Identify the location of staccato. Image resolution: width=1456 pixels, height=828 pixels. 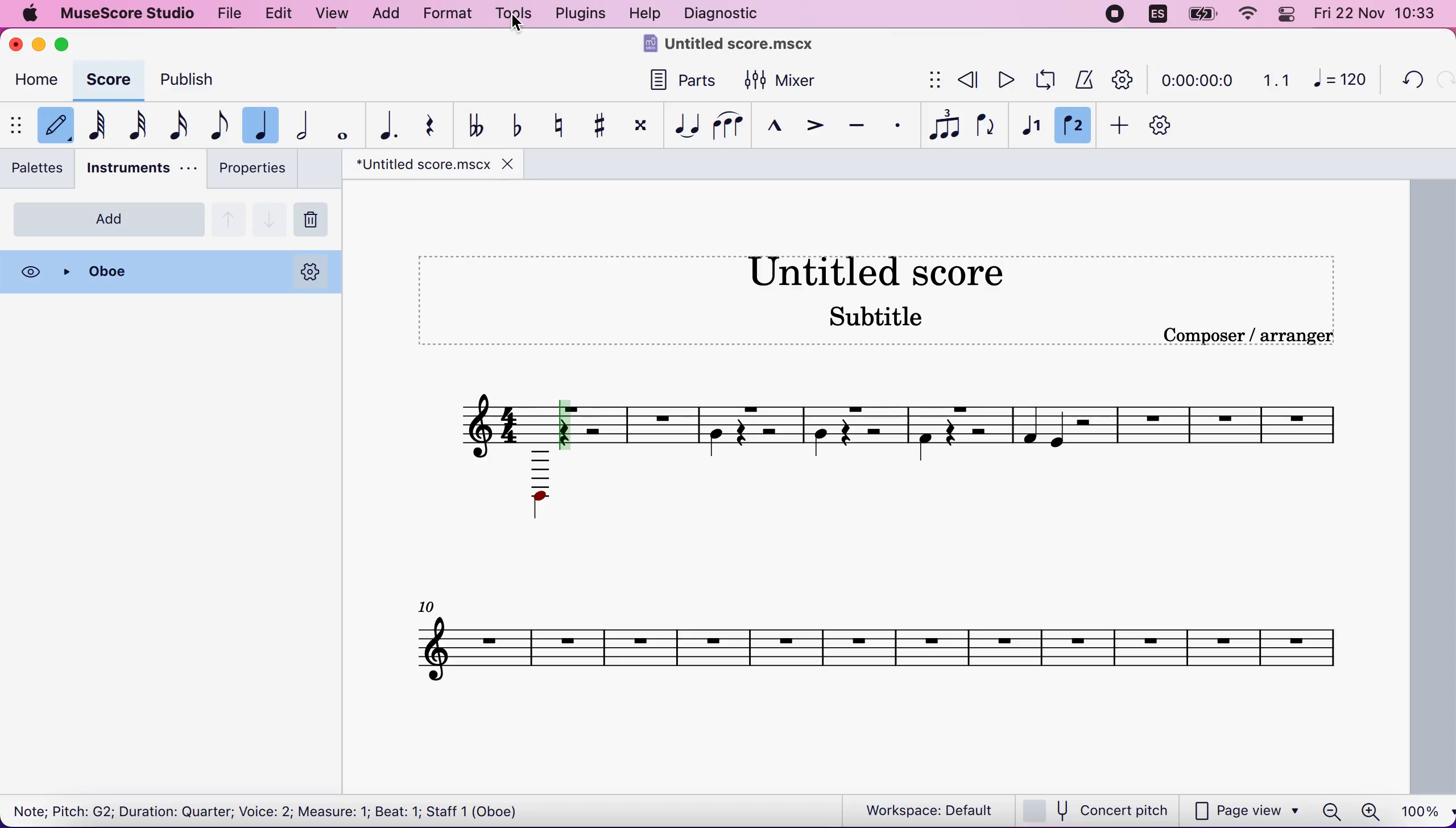
(895, 125).